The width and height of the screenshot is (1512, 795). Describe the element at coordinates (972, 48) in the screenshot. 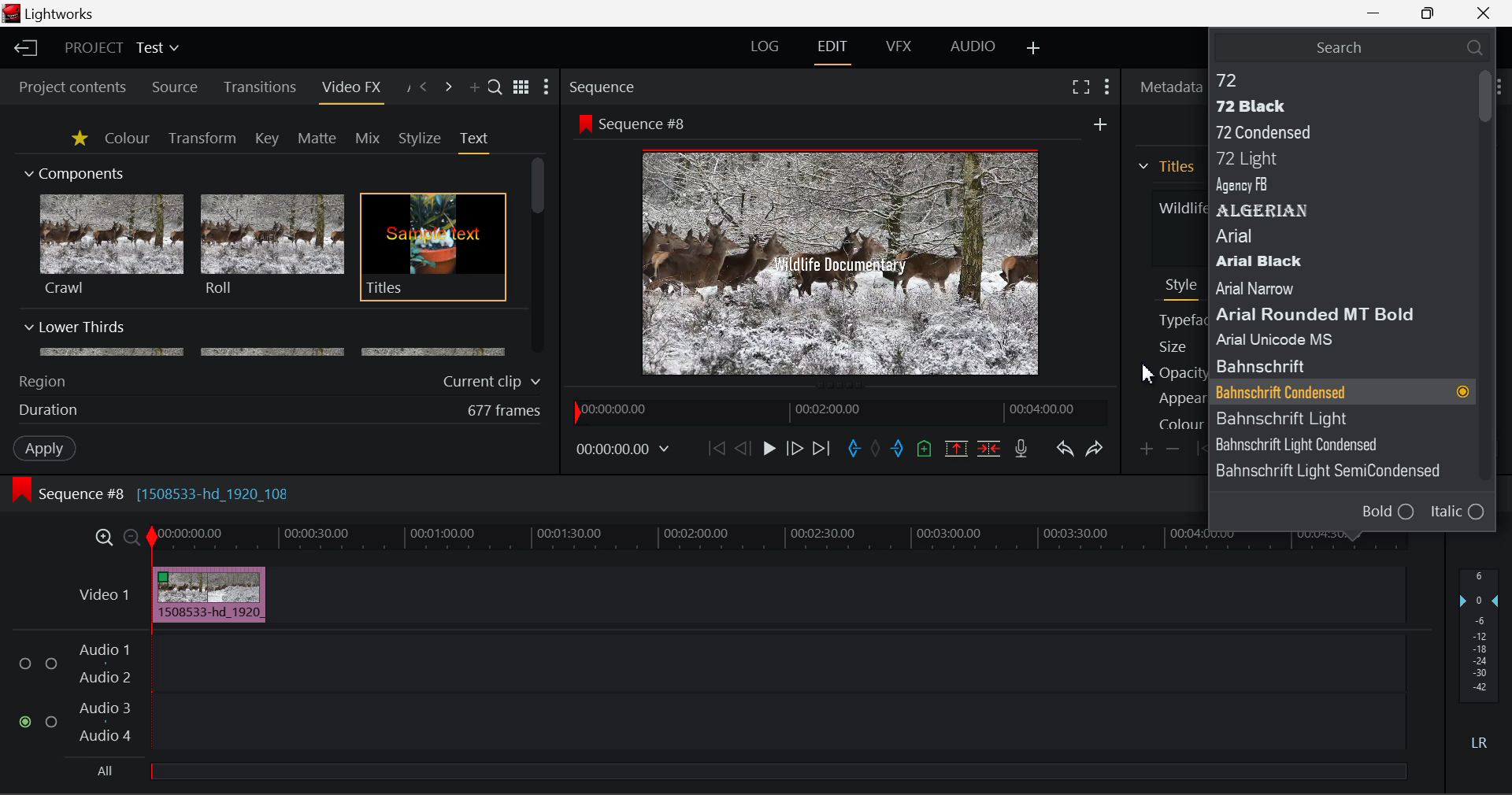

I see `AUDIO Layout` at that location.